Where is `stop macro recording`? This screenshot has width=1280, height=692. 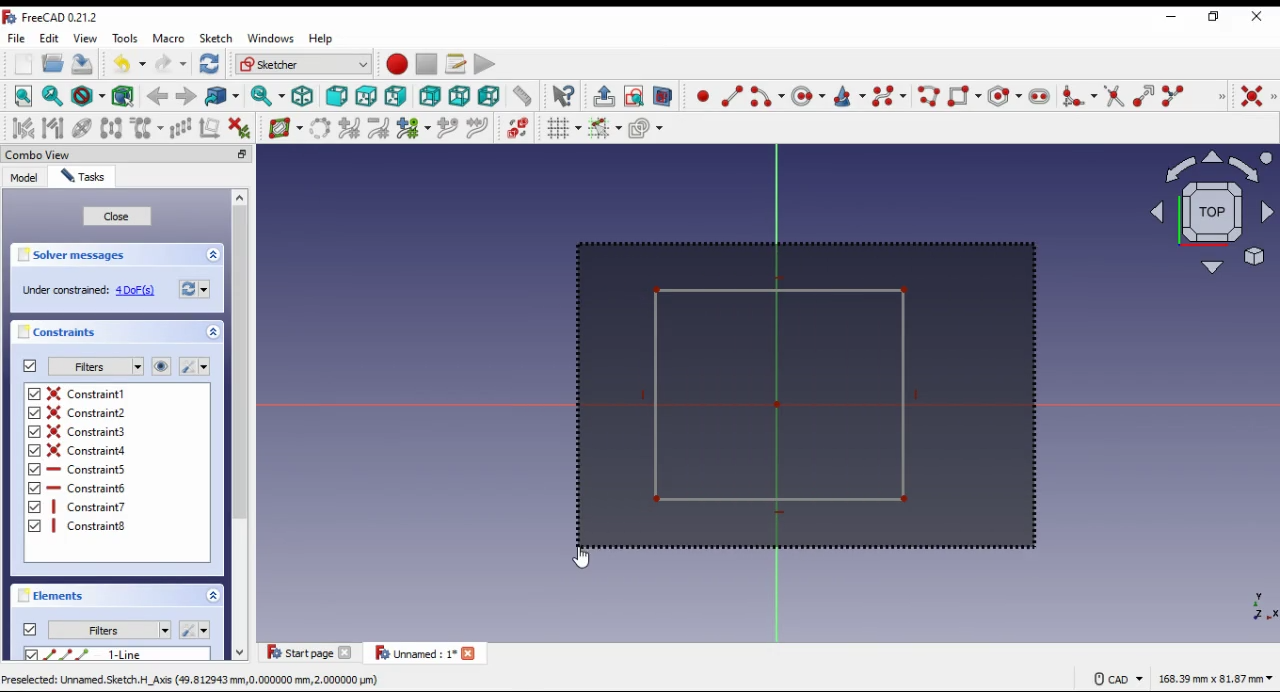 stop macro recording is located at coordinates (426, 64).